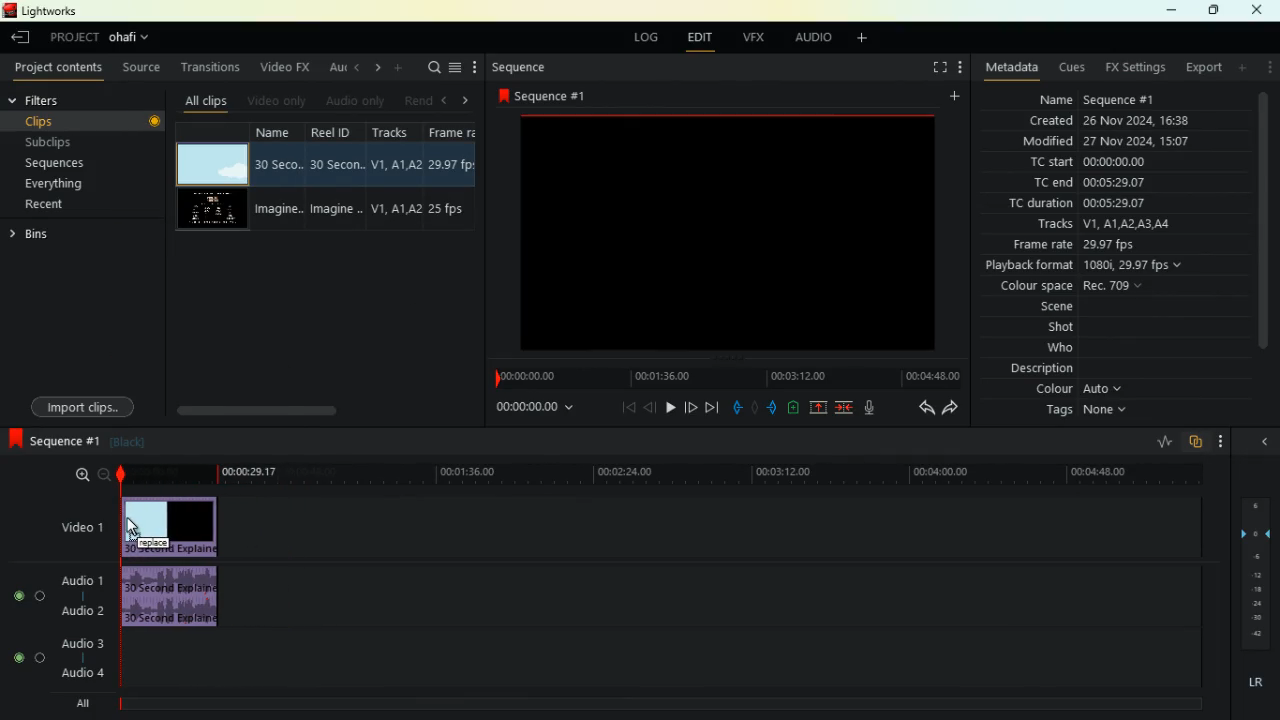  I want to click on project , so click(101, 39).